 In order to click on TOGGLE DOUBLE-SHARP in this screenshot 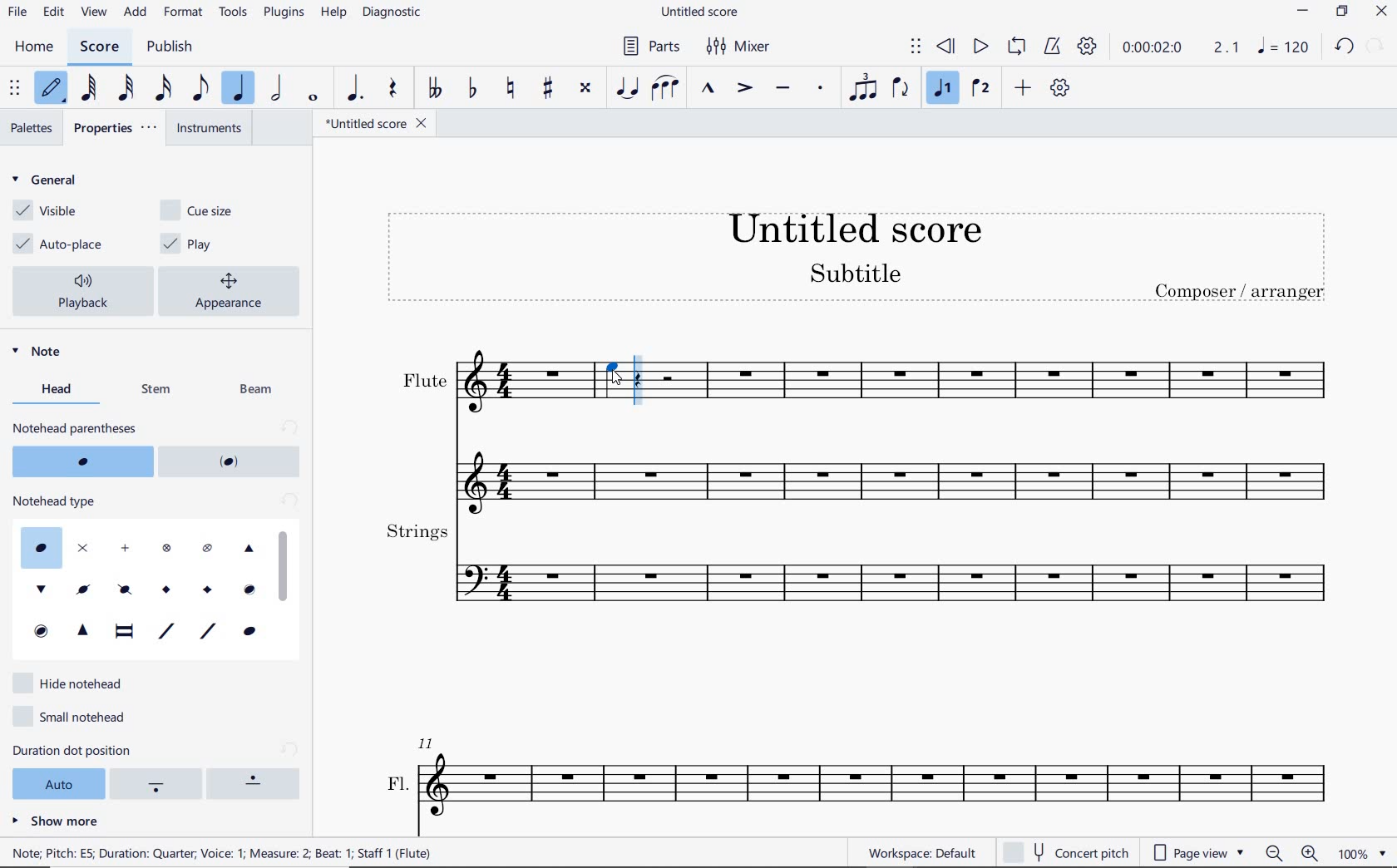, I will do `click(585, 86)`.